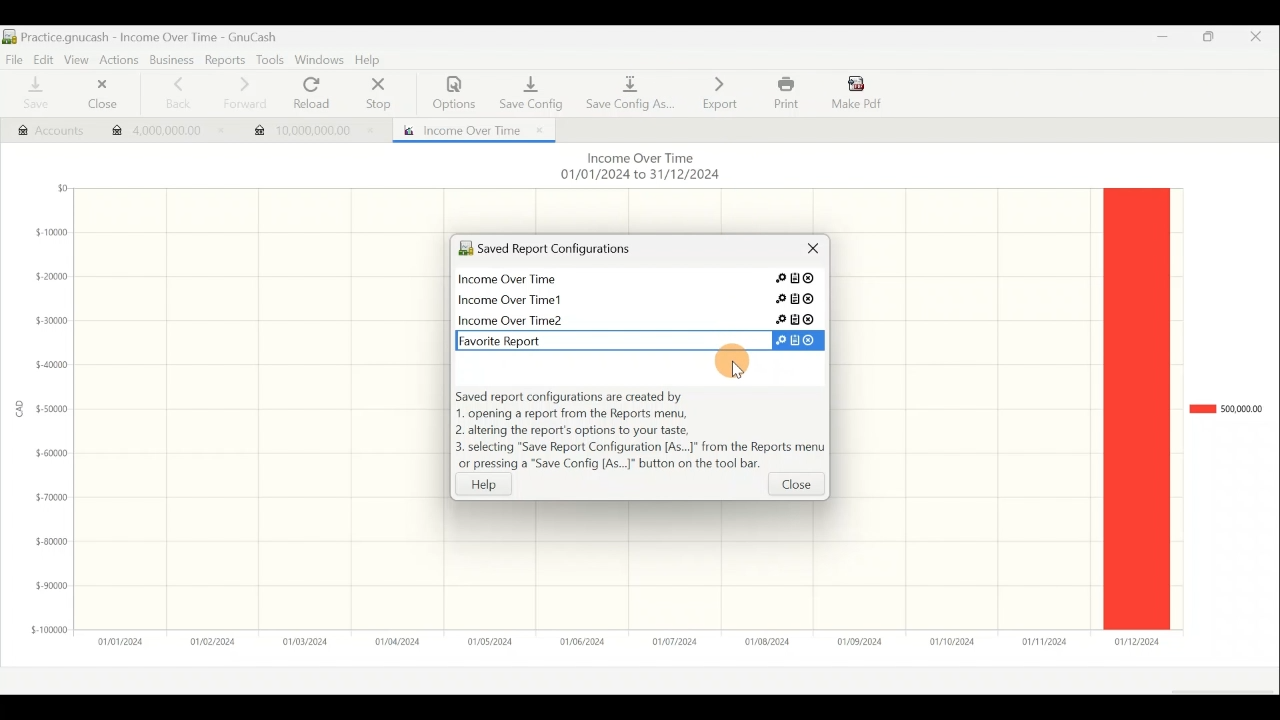 Image resolution: width=1280 pixels, height=720 pixels. What do you see at coordinates (46, 417) in the screenshot?
I see `y-axis (amount in CAD)` at bounding box center [46, 417].